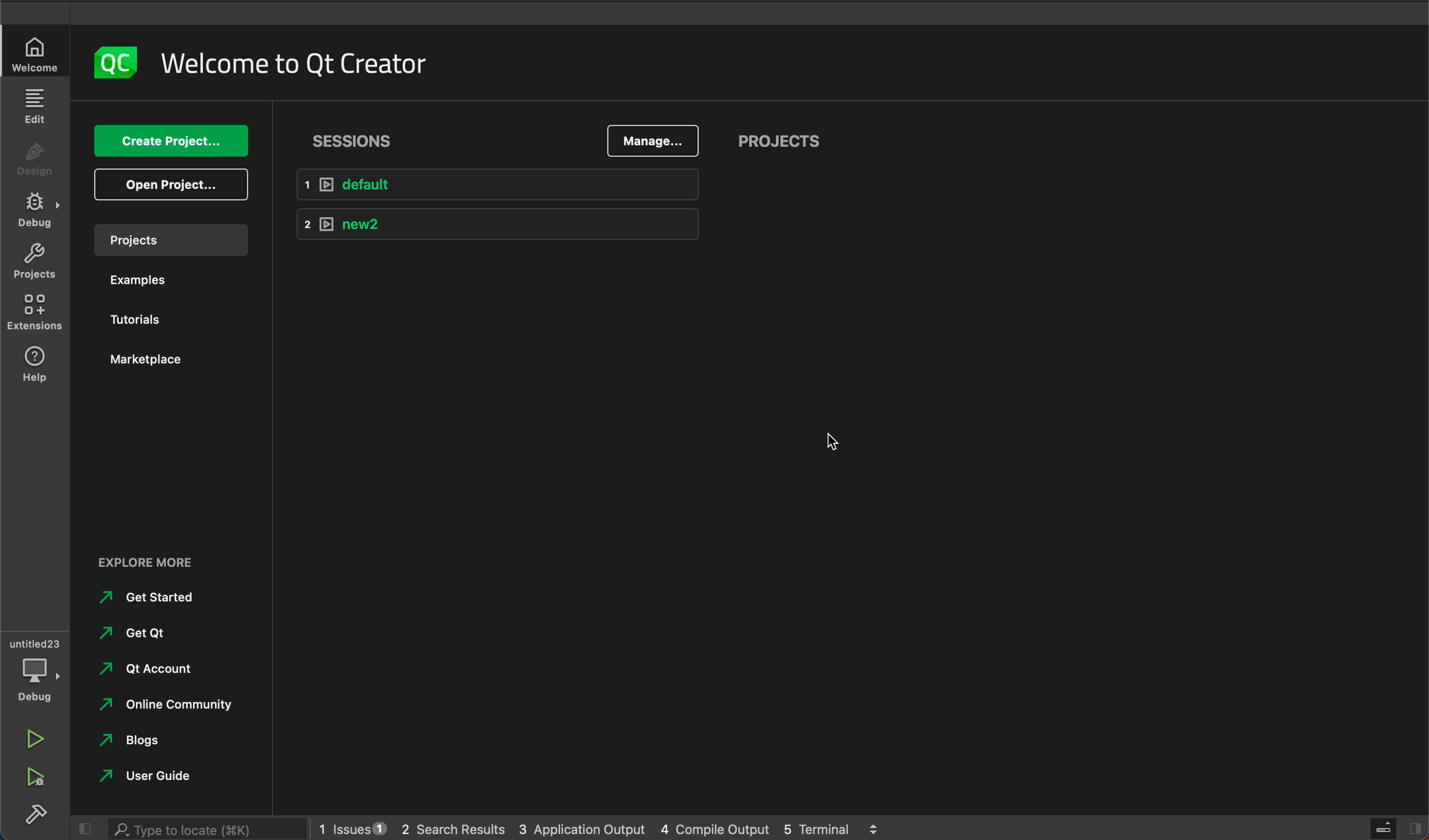 The height and width of the screenshot is (840, 1429). Describe the element at coordinates (780, 143) in the screenshot. I see `projects` at that location.